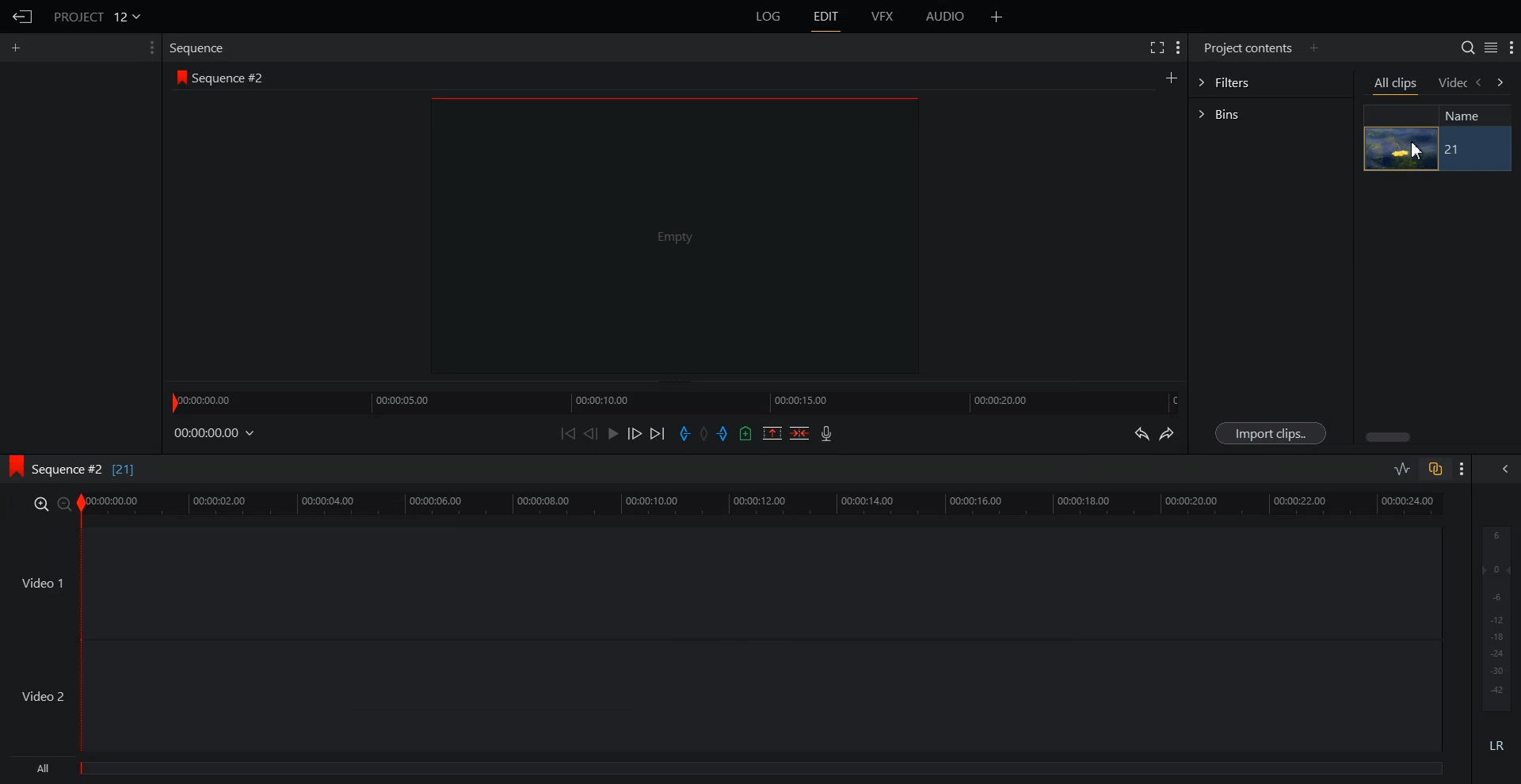  I want to click on Toggle Auto track Sync, so click(1434, 469).